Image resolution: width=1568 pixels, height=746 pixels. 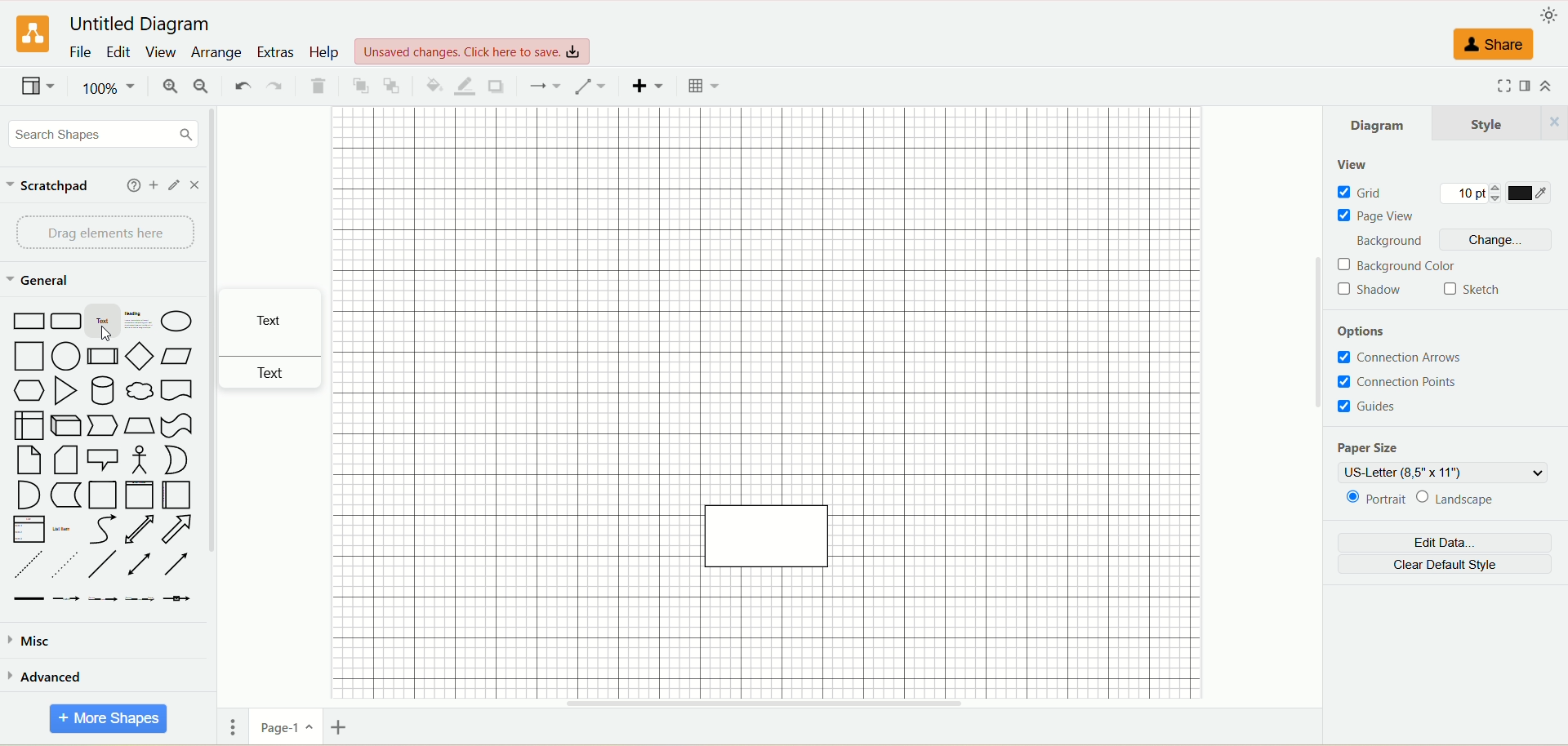 What do you see at coordinates (68, 460) in the screenshot?
I see `card` at bounding box center [68, 460].